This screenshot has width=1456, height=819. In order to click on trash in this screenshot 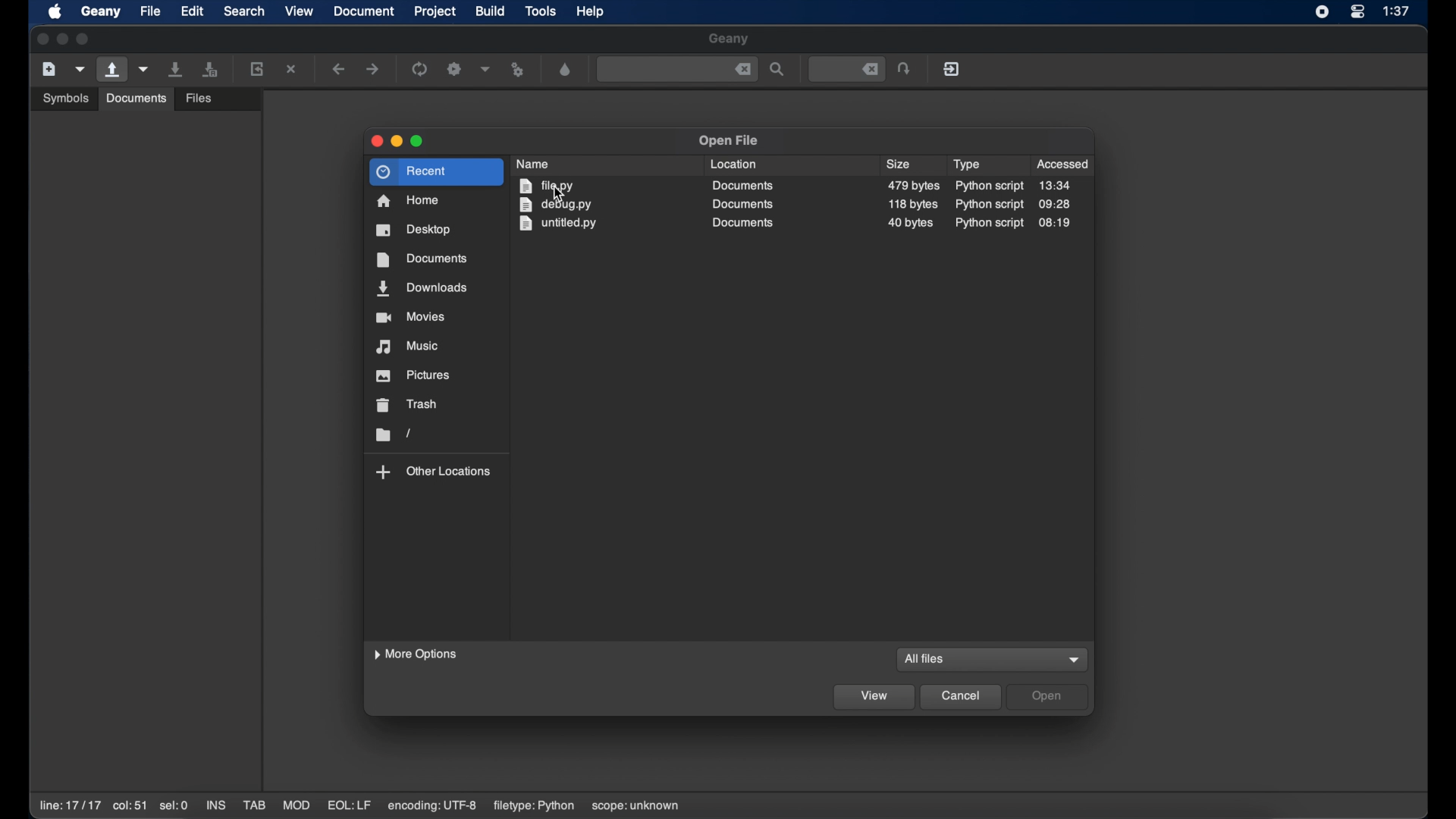, I will do `click(408, 405)`.